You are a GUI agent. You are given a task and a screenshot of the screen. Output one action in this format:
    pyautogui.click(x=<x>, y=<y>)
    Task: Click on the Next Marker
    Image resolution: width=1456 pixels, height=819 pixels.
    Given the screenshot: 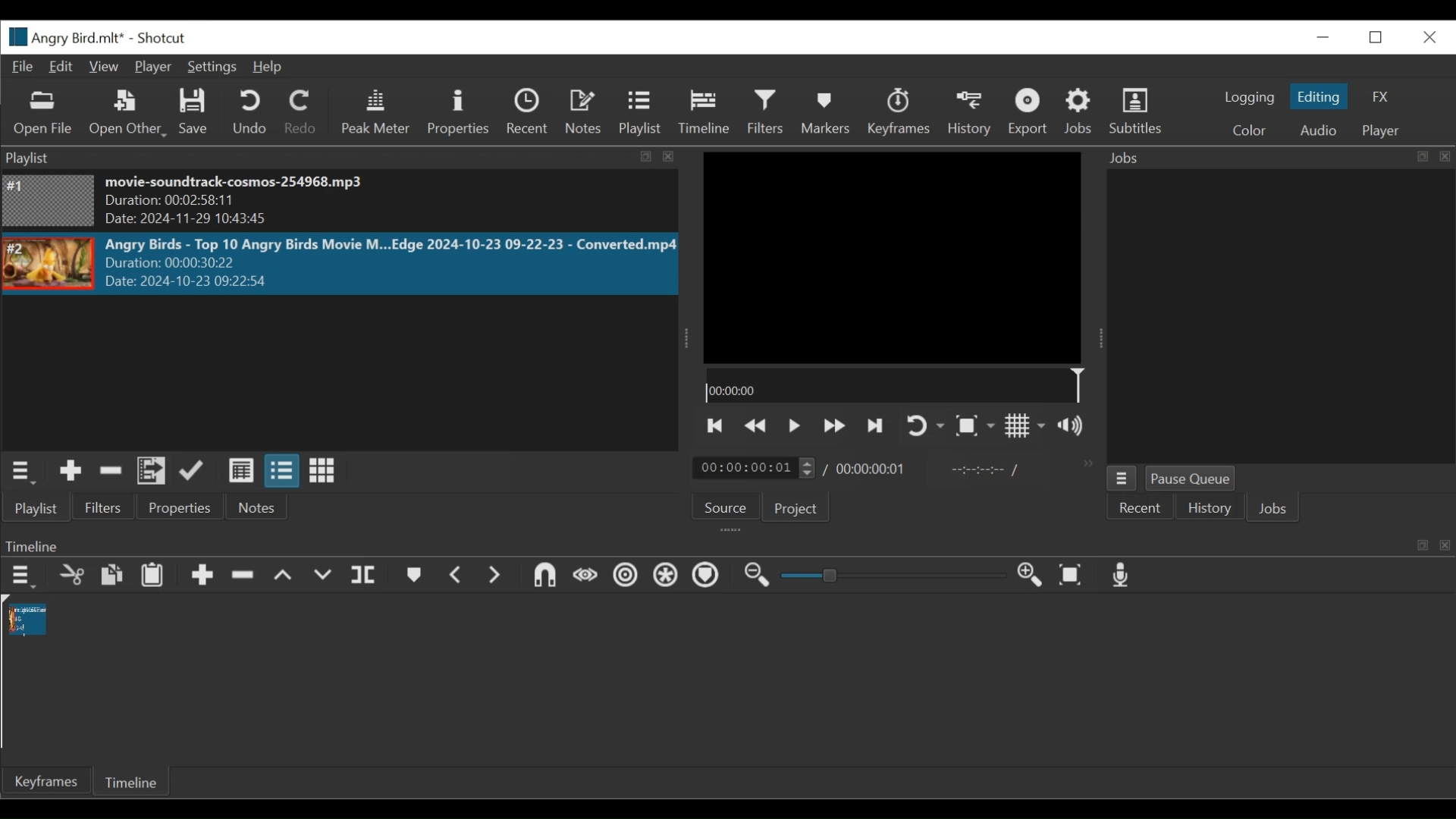 What is the action you would take?
    pyautogui.click(x=492, y=576)
    